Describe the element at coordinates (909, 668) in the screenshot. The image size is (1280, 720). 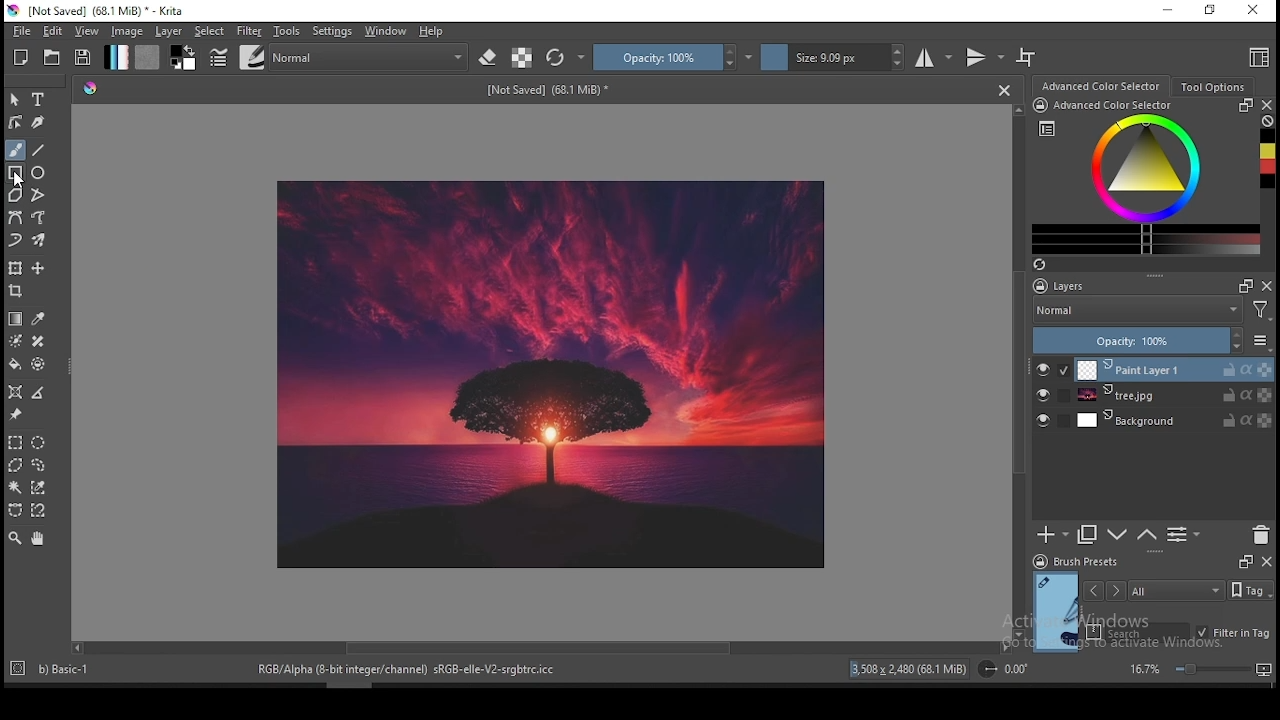
I see `13,508 x 2,480 (68.1 MiB)` at that location.